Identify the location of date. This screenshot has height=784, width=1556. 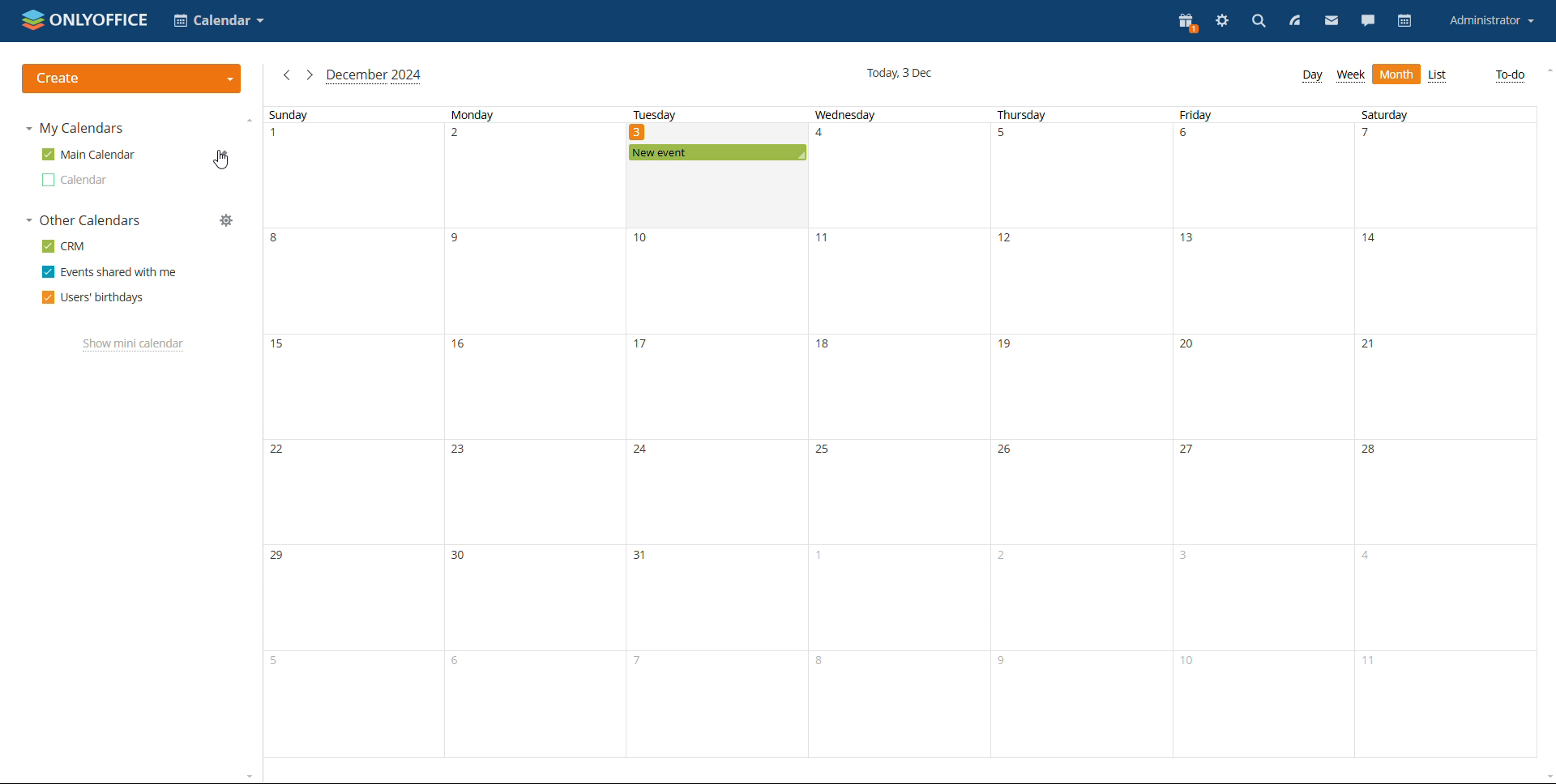
(353, 386).